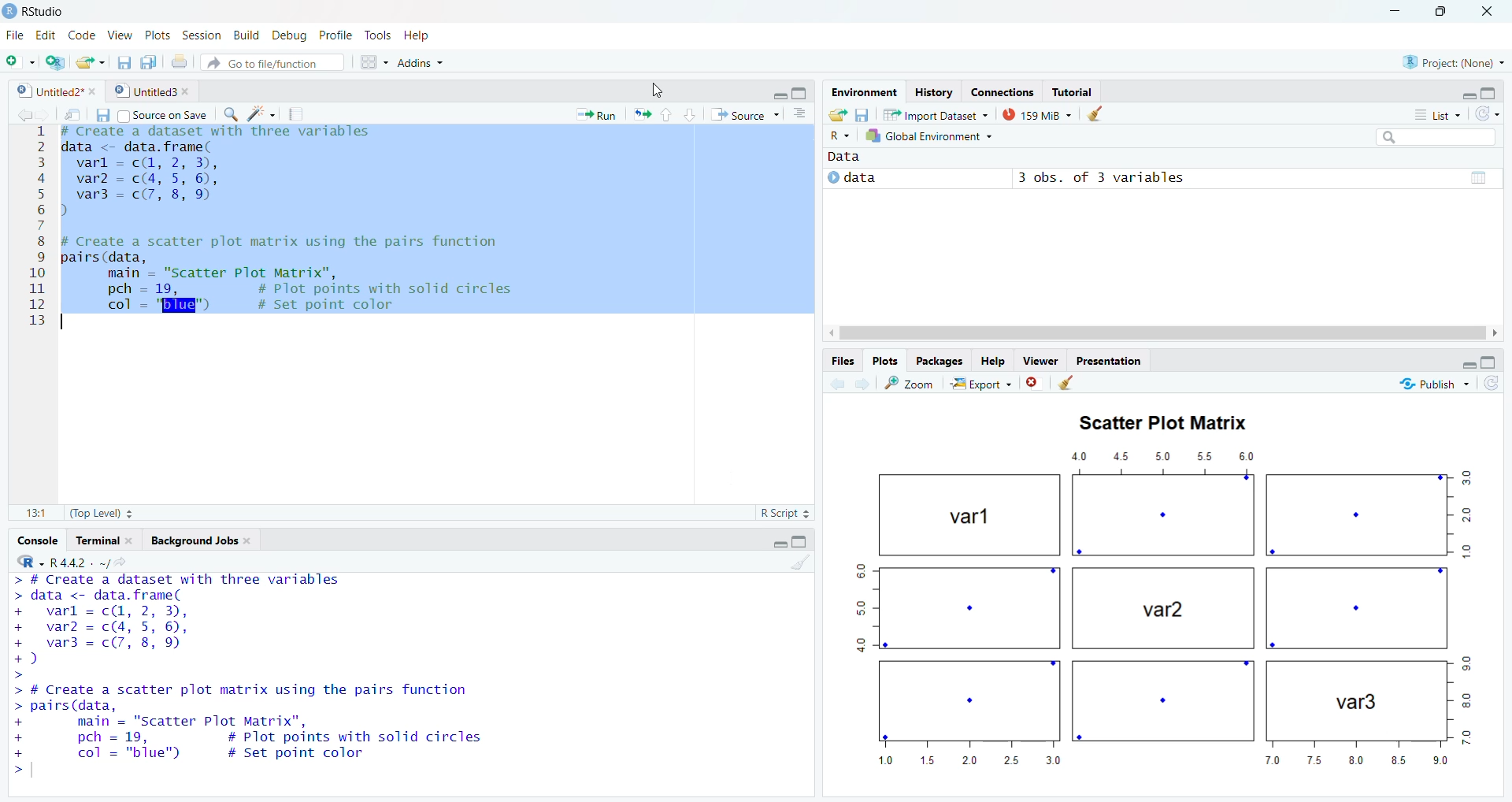 The height and width of the screenshot is (802, 1512). I want to click on Export, so click(979, 384).